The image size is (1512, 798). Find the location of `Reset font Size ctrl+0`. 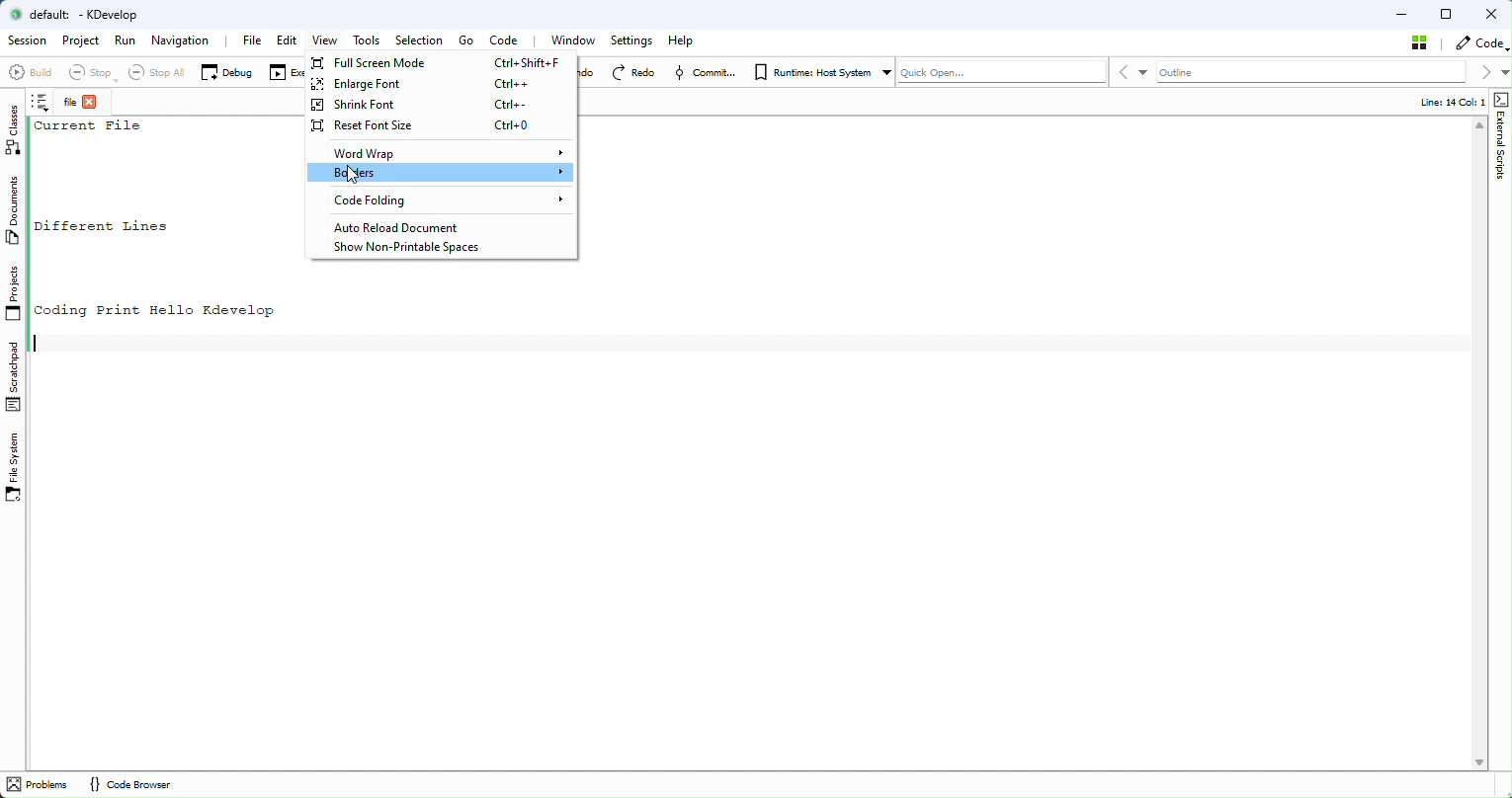

Reset font Size ctrl+0 is located at coordinates (436, 126).